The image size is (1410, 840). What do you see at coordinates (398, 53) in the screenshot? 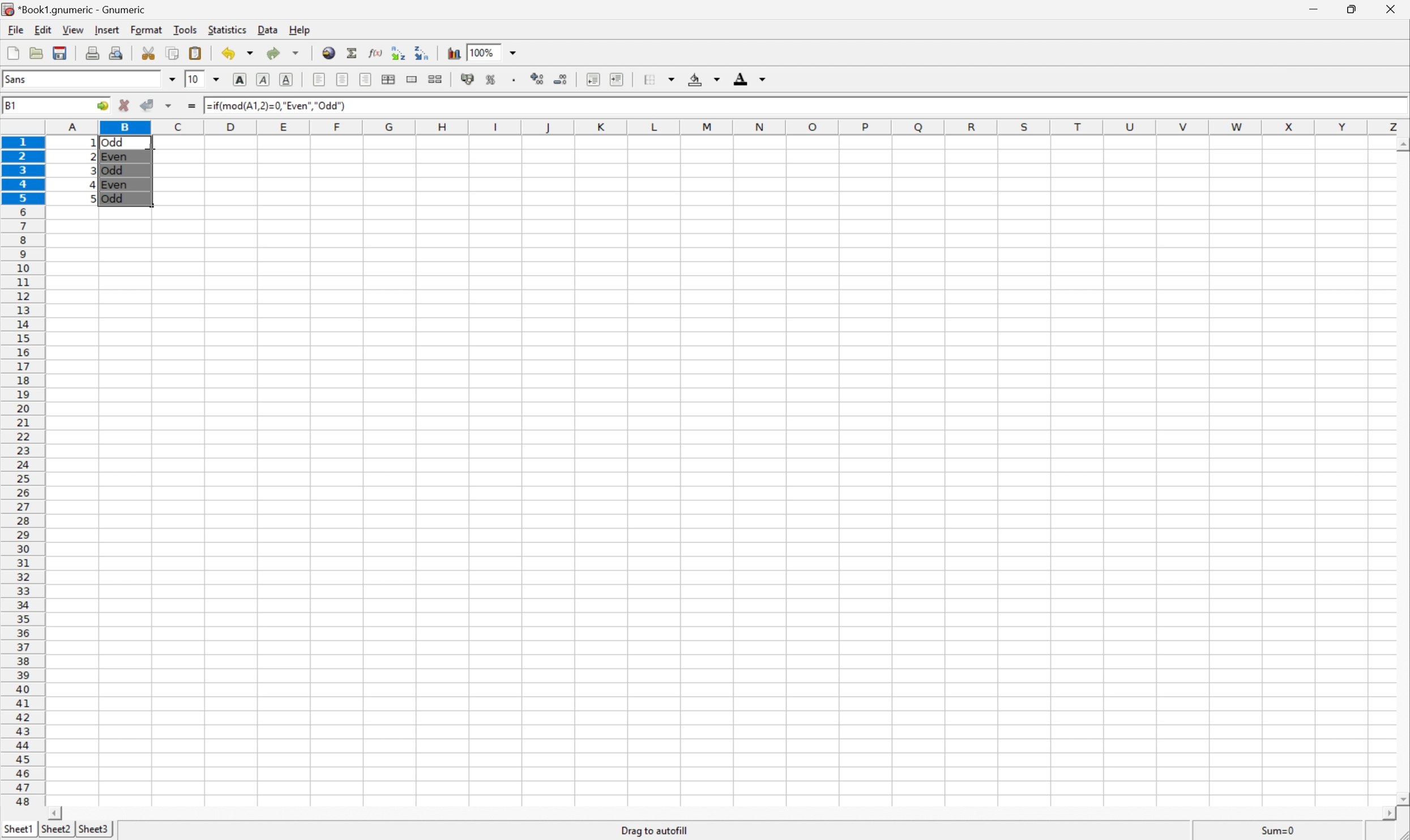
I see `Sort the selected region in ascending order based on the first column selected` at bounding box center [398, 53].